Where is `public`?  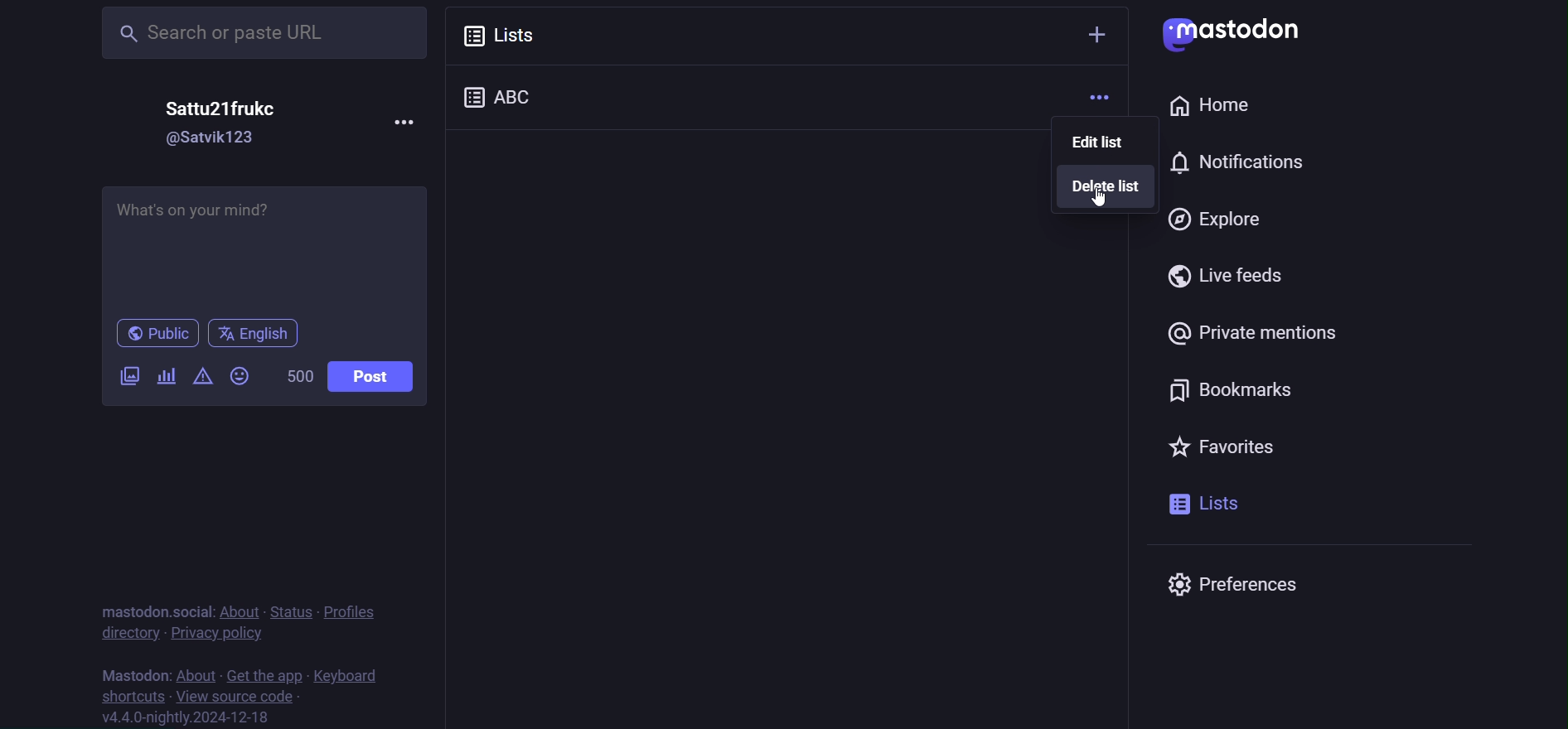
public is located at coordinates (150, 333).